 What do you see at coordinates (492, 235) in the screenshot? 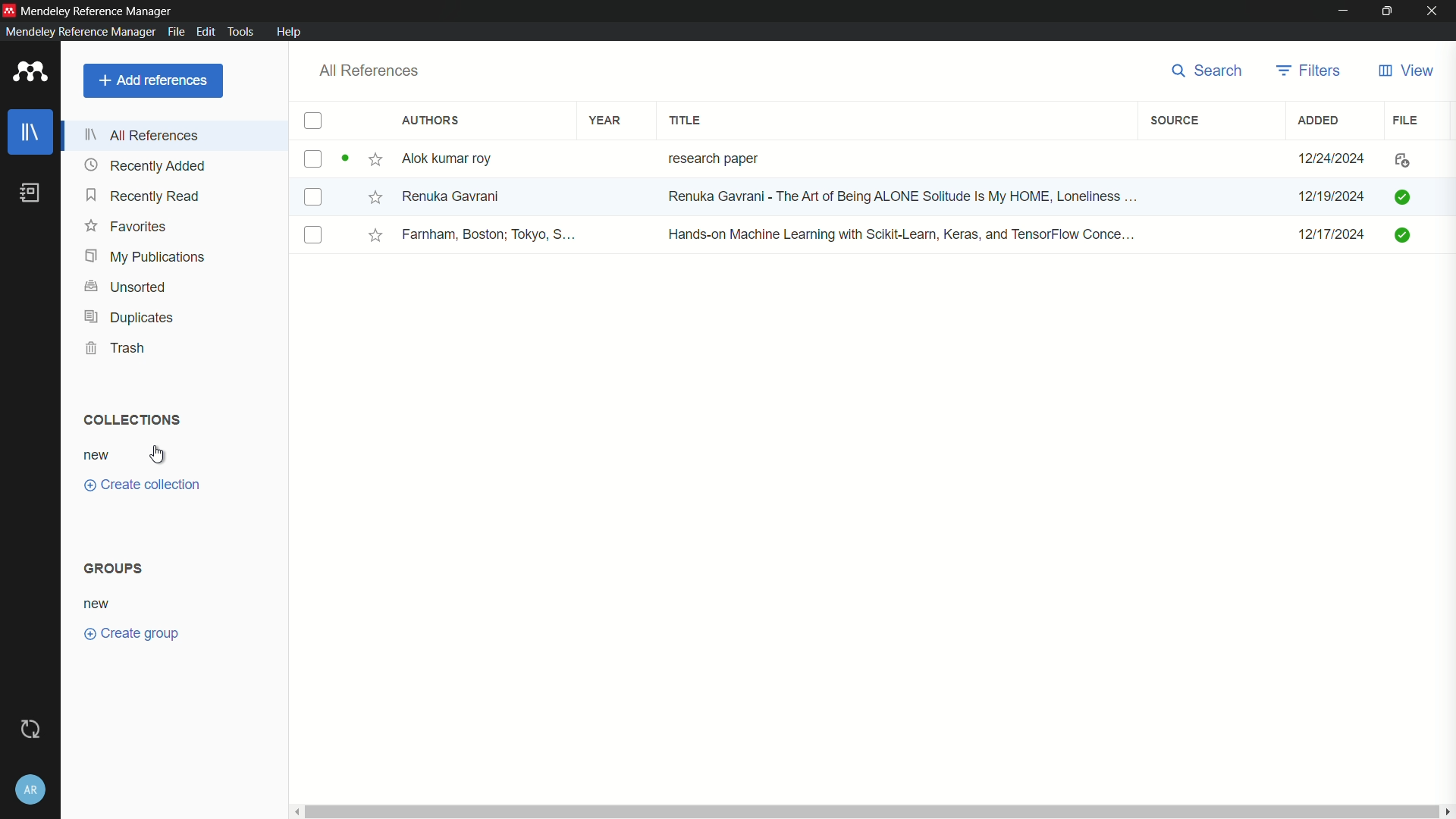
I see `Farnham, Boston; Tokyo, S...` at bounding box center [492, 235].